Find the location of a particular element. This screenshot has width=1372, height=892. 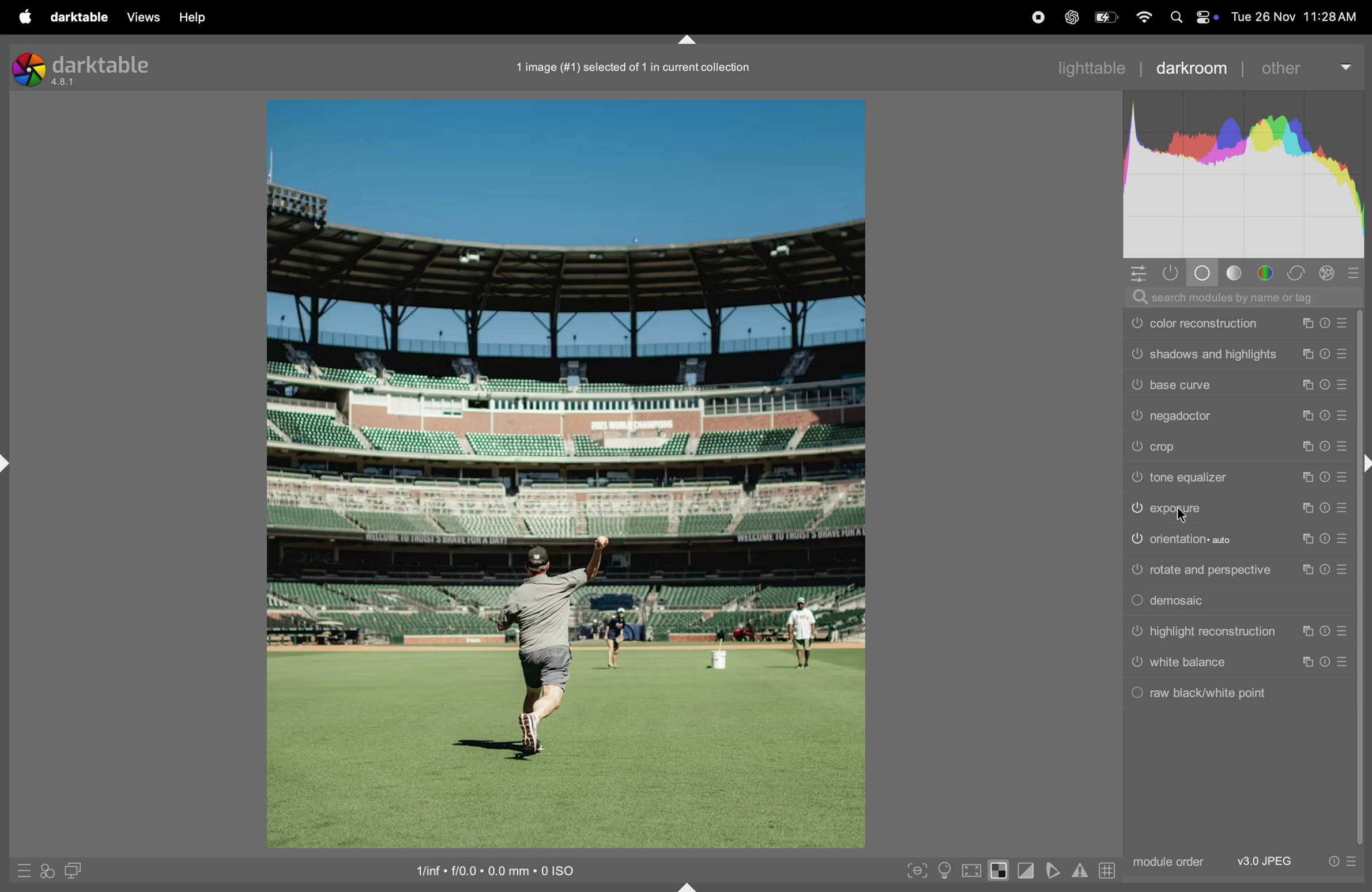

image collection is located at coordinates (629, 65).